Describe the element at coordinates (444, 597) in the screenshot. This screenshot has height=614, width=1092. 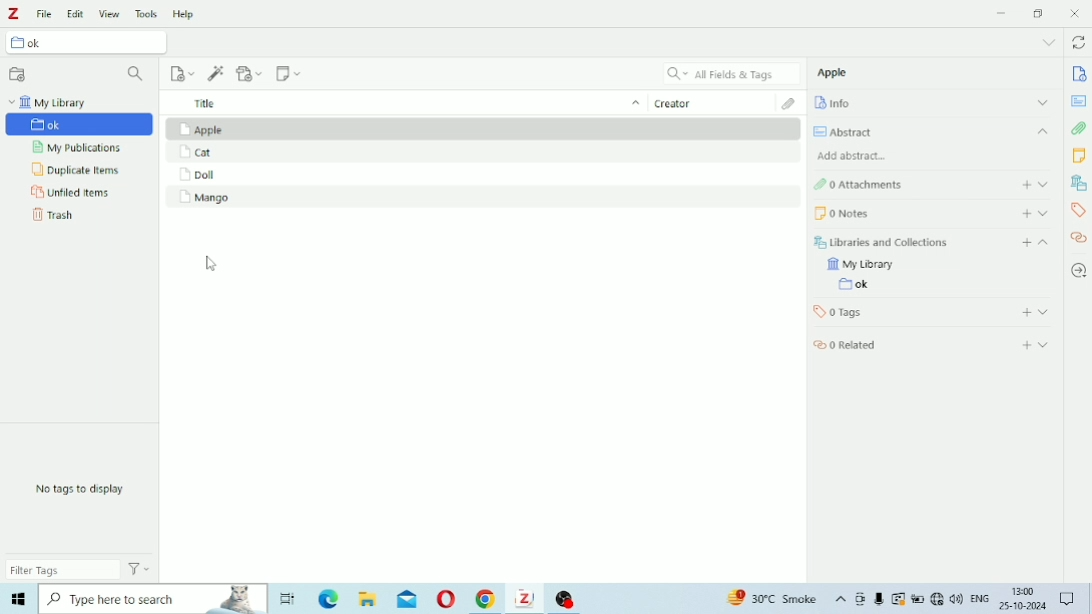
I see `` at that location.